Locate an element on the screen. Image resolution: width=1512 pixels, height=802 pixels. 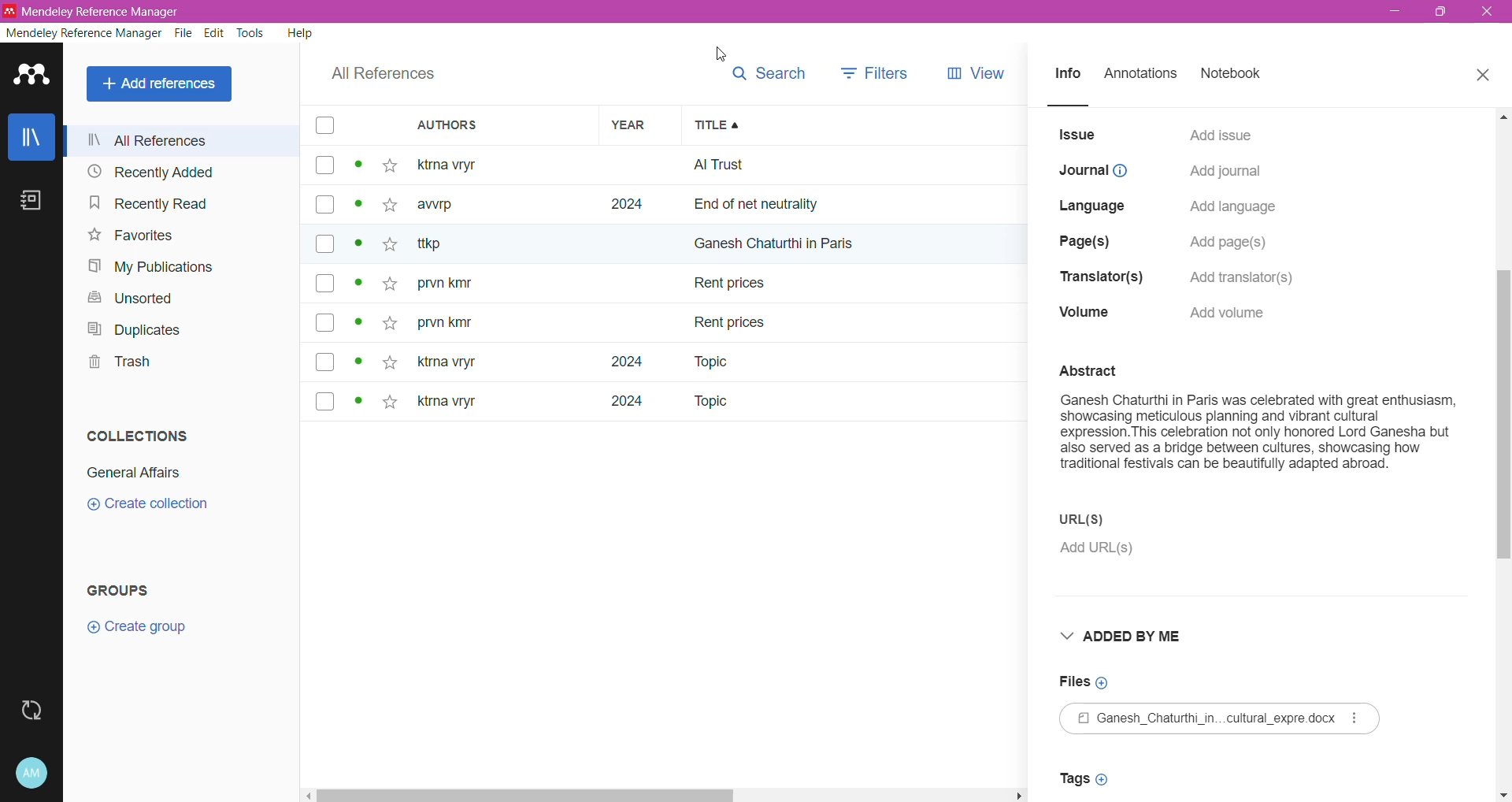
Search is located at coordinates (769, 74).